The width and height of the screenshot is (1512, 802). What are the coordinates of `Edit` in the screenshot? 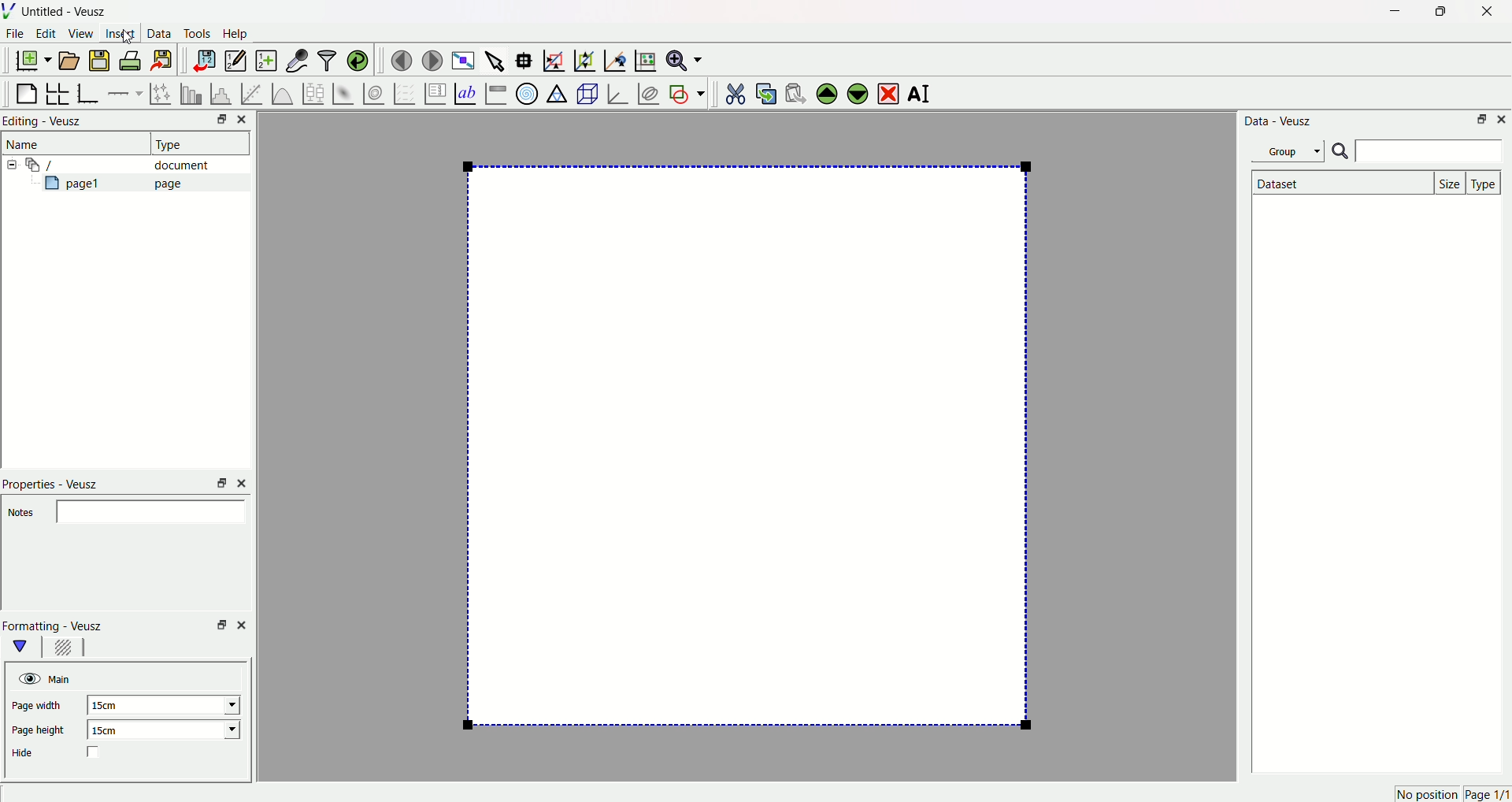 It's located at (46, 35).